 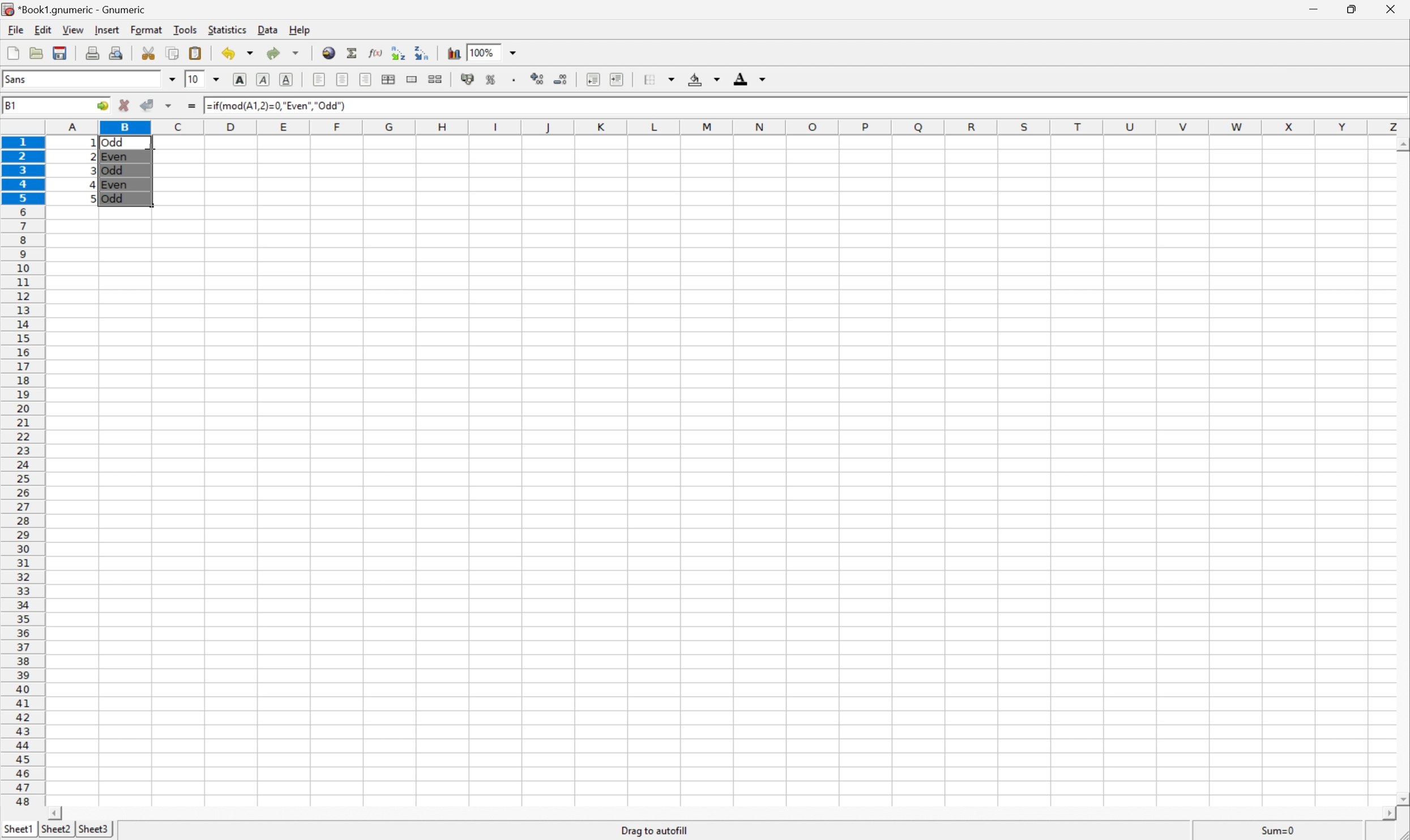 I want to click on Sum in current cell, so click(x=353, y=54).